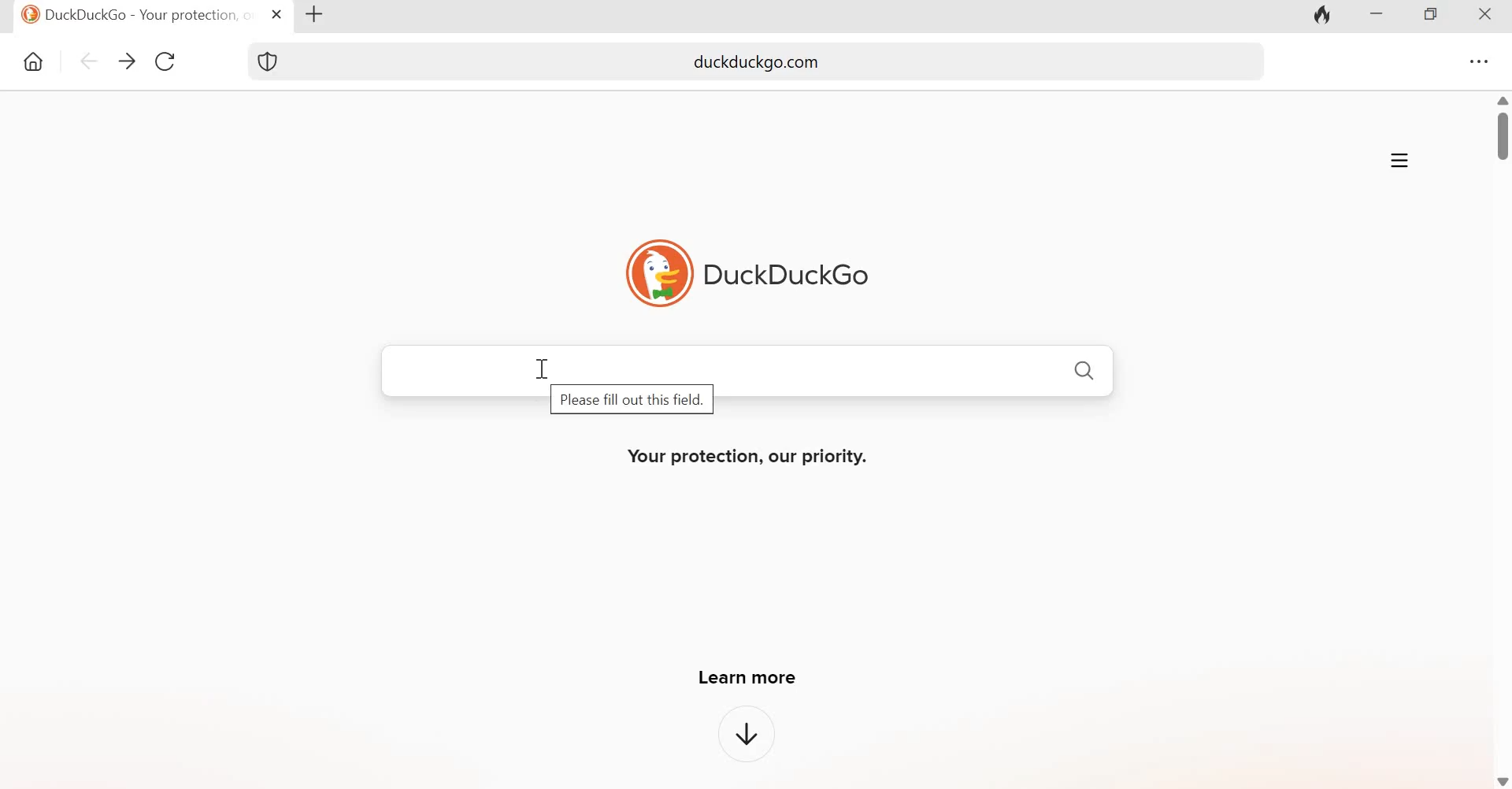 The width and height of the screenshot is (1512, 789). What do you see at coordinates (747, 734) in the screenshot?
I see `downward arrow` at bounding box center [747, 734].